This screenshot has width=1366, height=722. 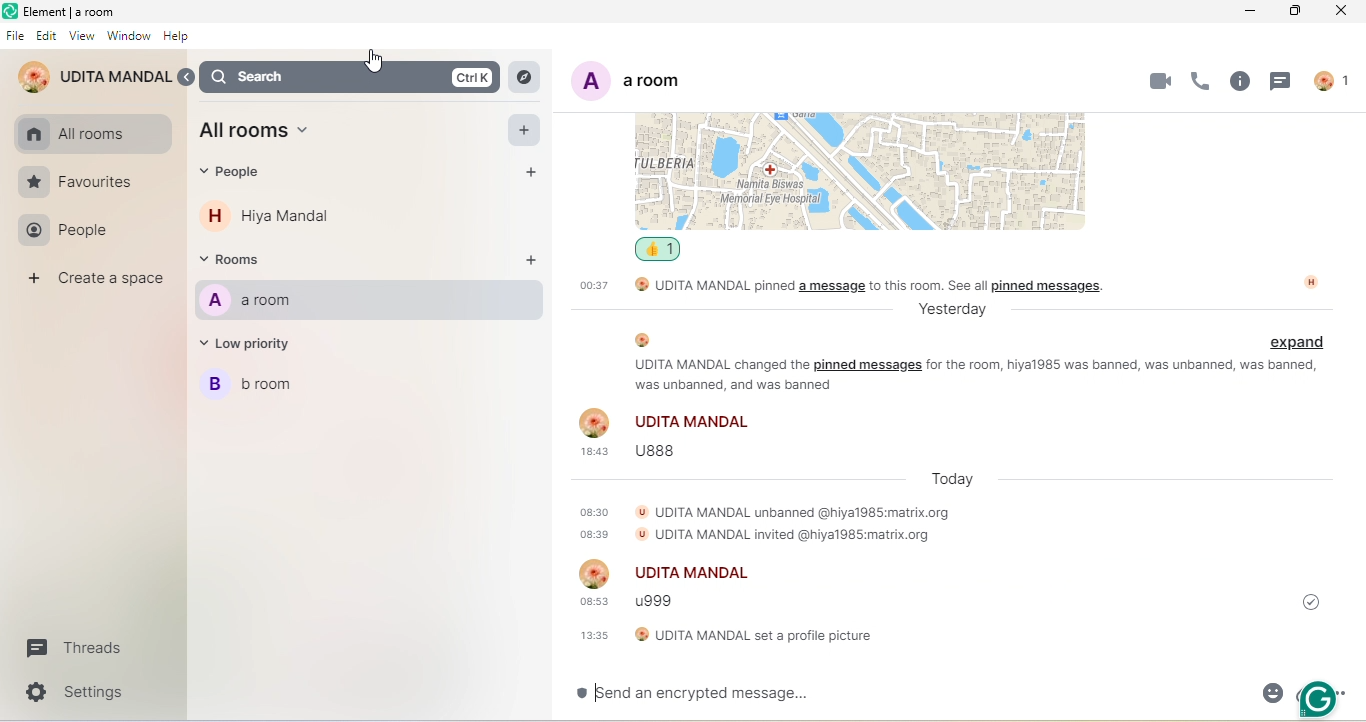 I want to click on Chat Information, so click(x=1240, y=80).